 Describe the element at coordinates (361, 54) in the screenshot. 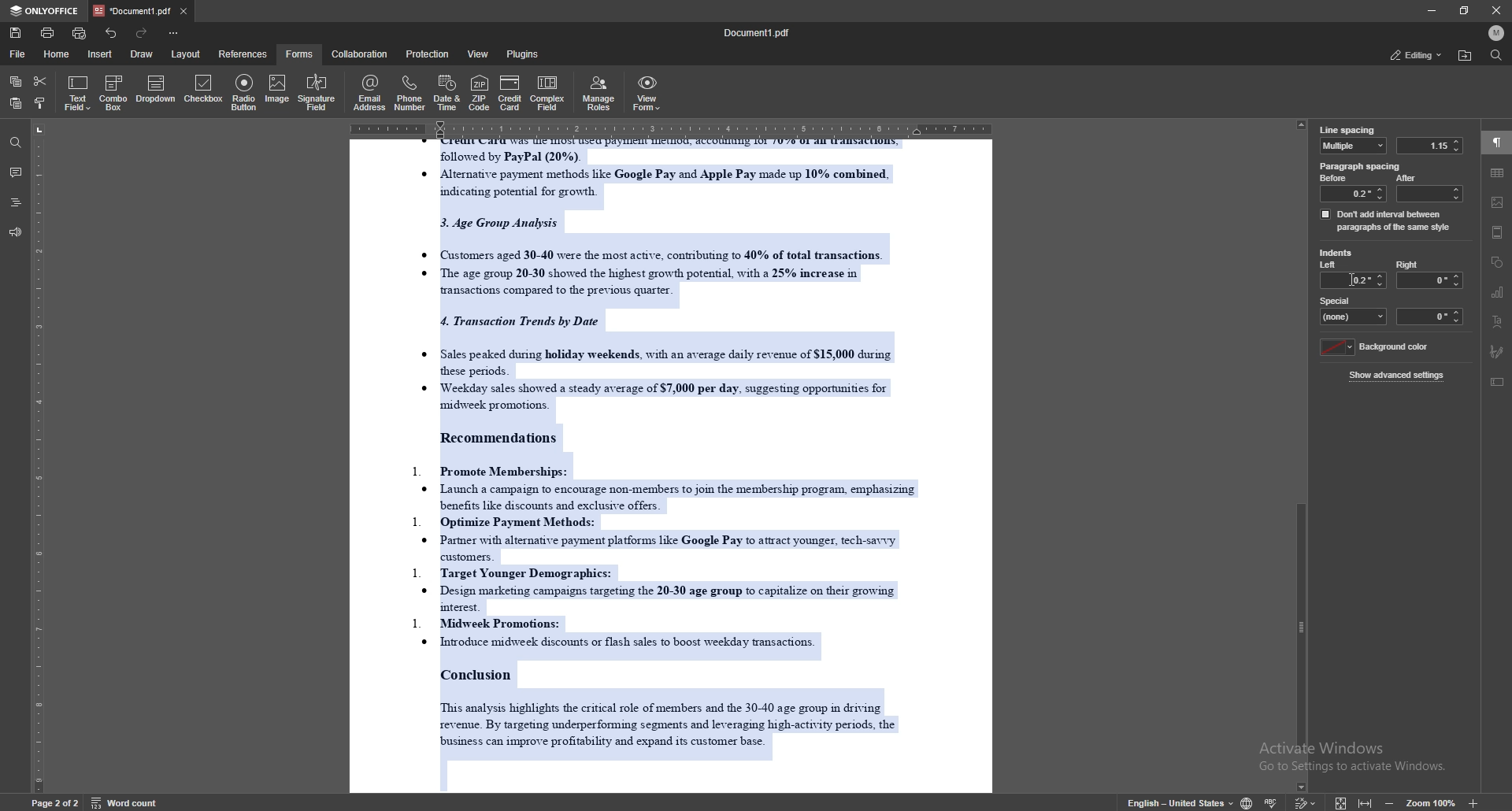

I see `collaboration` at that location.